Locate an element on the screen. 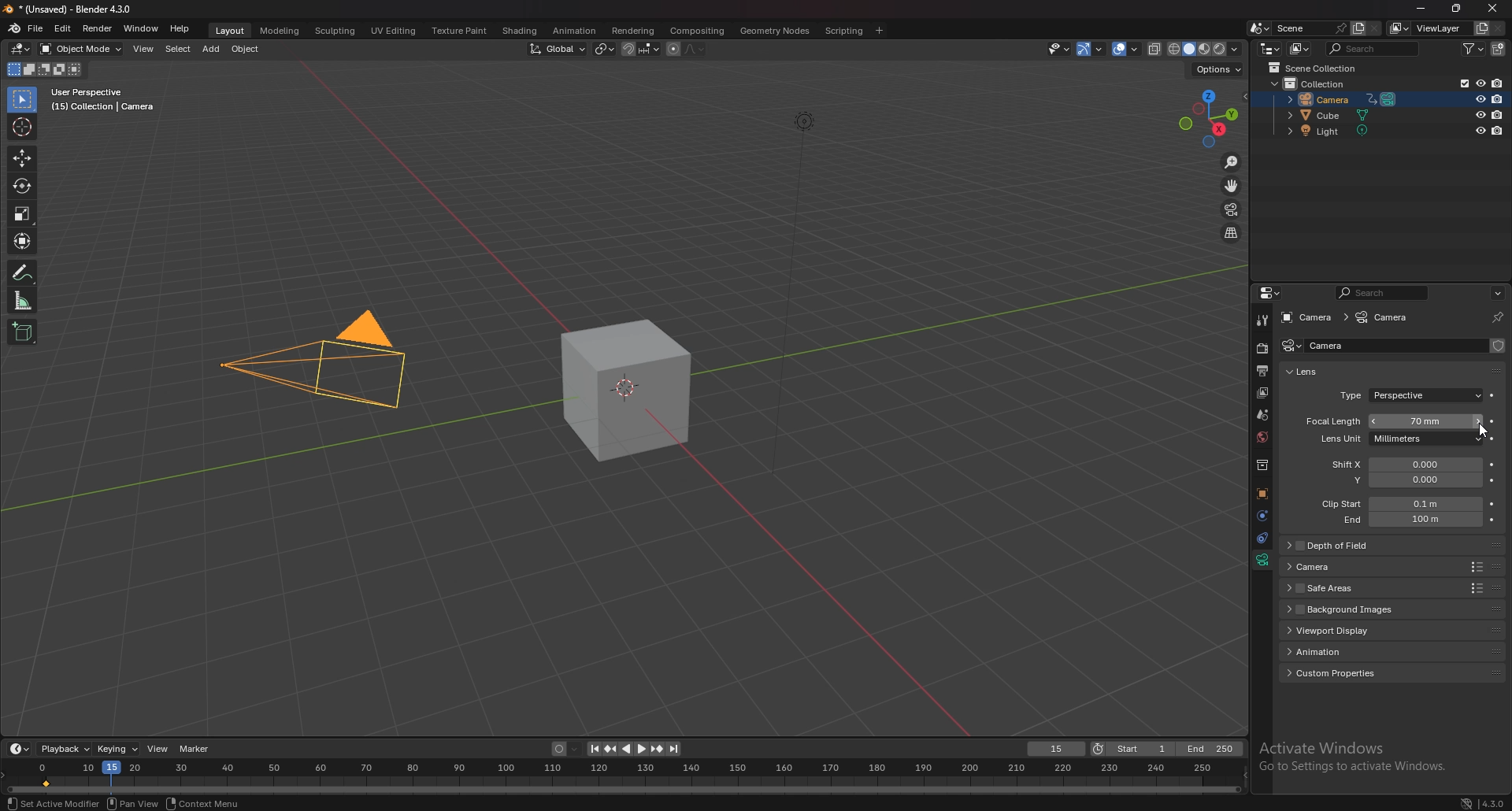 Image resolution: width=1512 pixels, height=811 pixels. animate property is located at coordinates (1492, 503).